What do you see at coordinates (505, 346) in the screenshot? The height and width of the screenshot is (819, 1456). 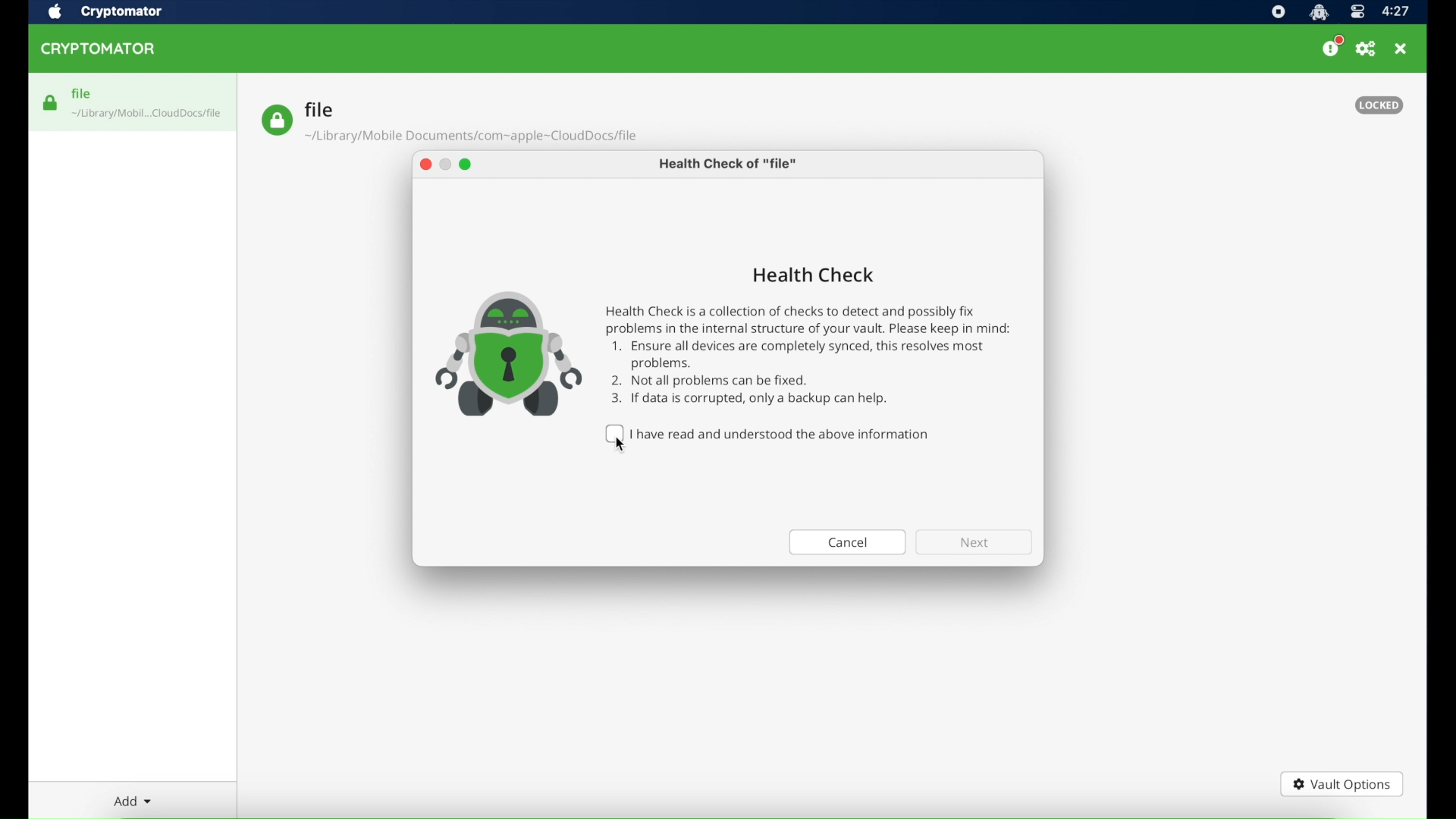 I see `icon` at bounding box center [505, 346].